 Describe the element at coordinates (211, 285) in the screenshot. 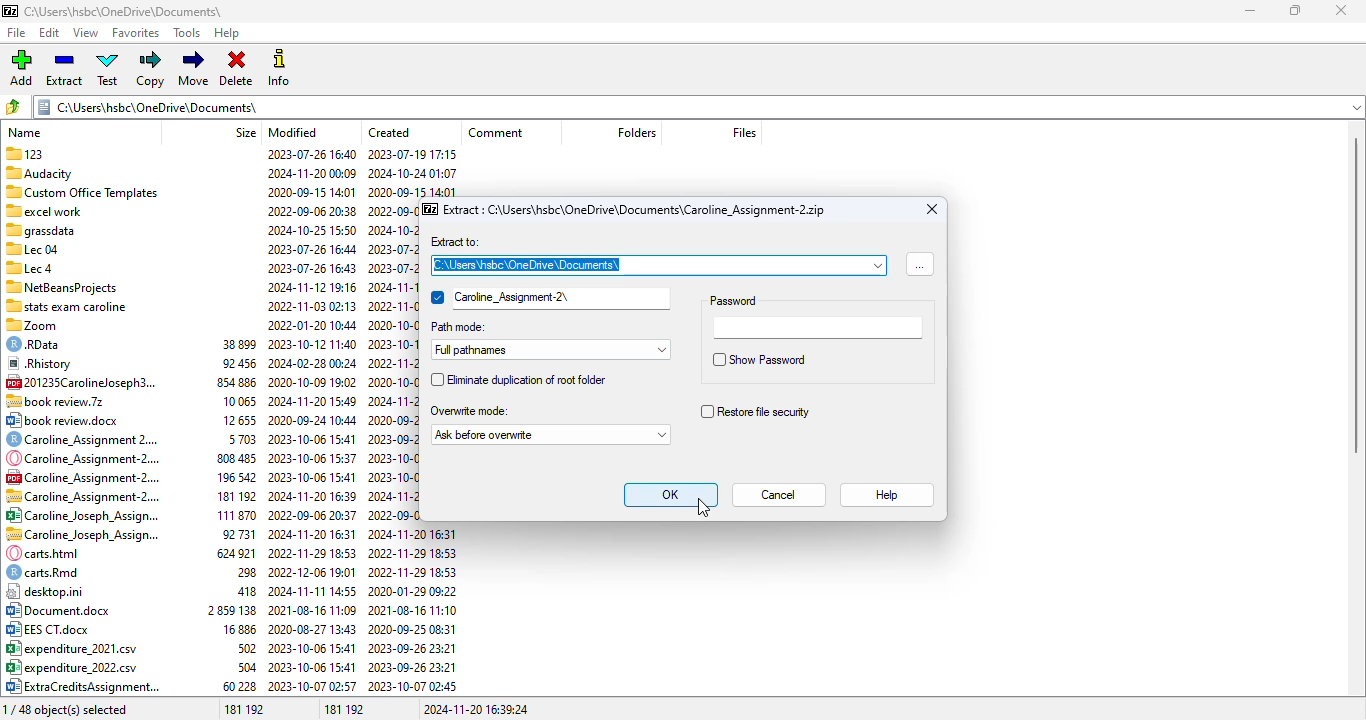

I see `| ™1 NetBeansProjects 2024-11-12 19:16 2024-11-12 16:09` at that location.